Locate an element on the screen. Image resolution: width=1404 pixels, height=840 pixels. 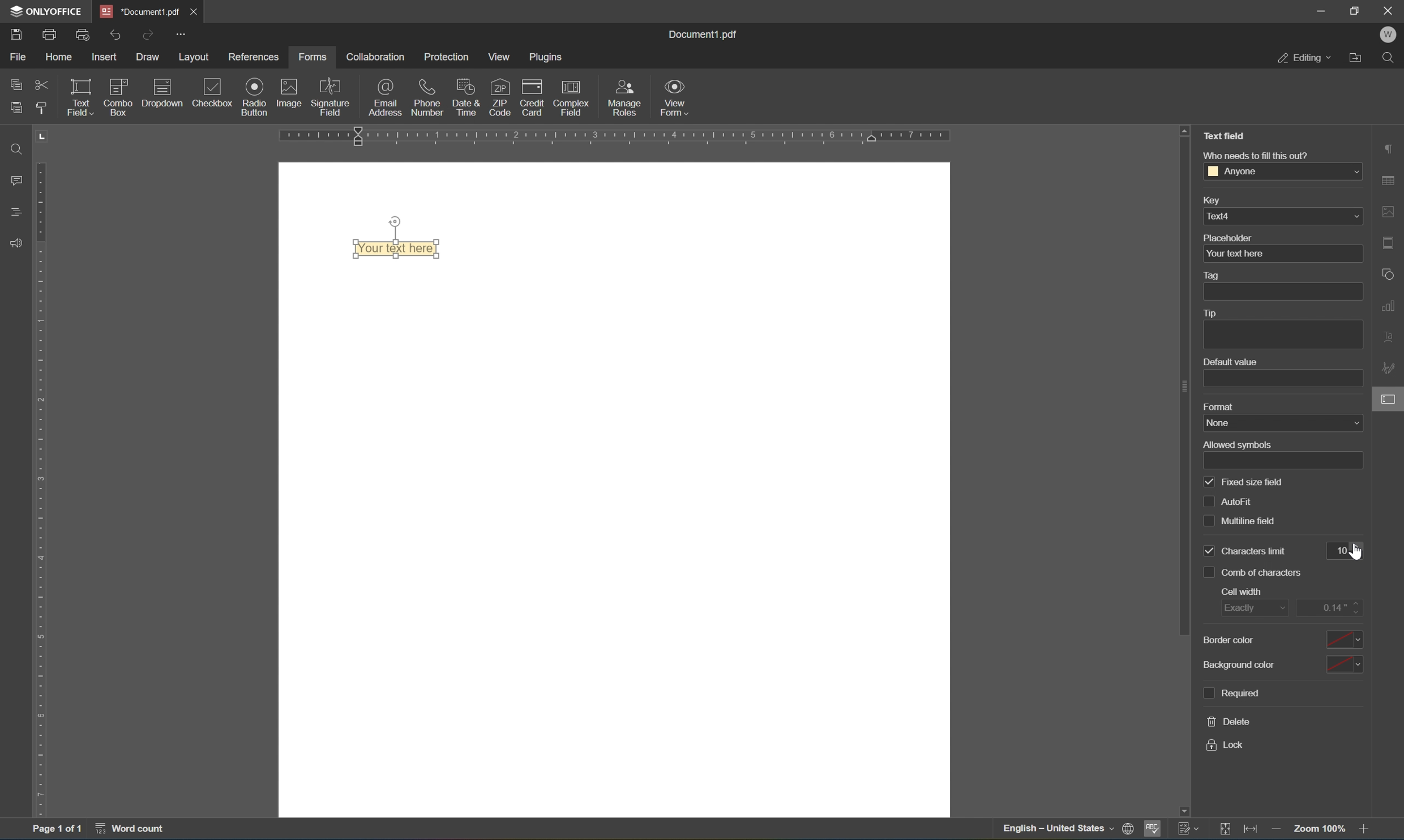
who needs to fill this out? is located at coordinates (1258, 156).